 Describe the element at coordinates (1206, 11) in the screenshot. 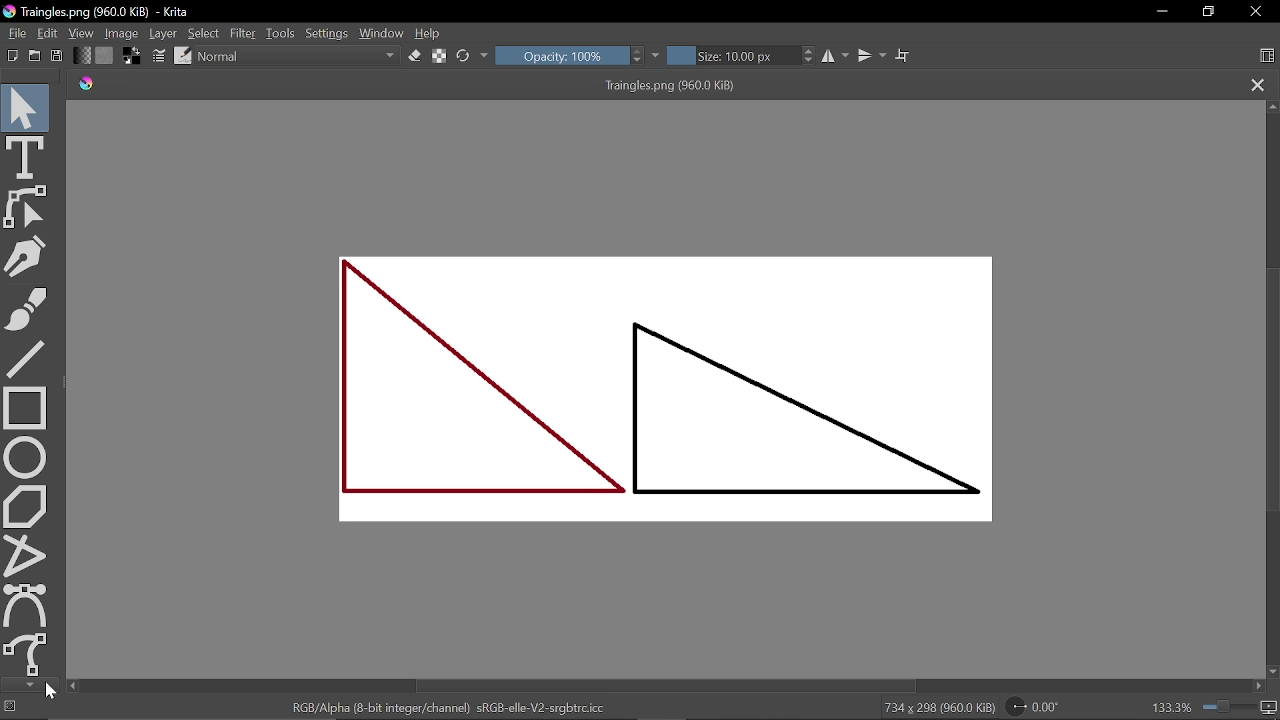

I see `Restore down` at that location.